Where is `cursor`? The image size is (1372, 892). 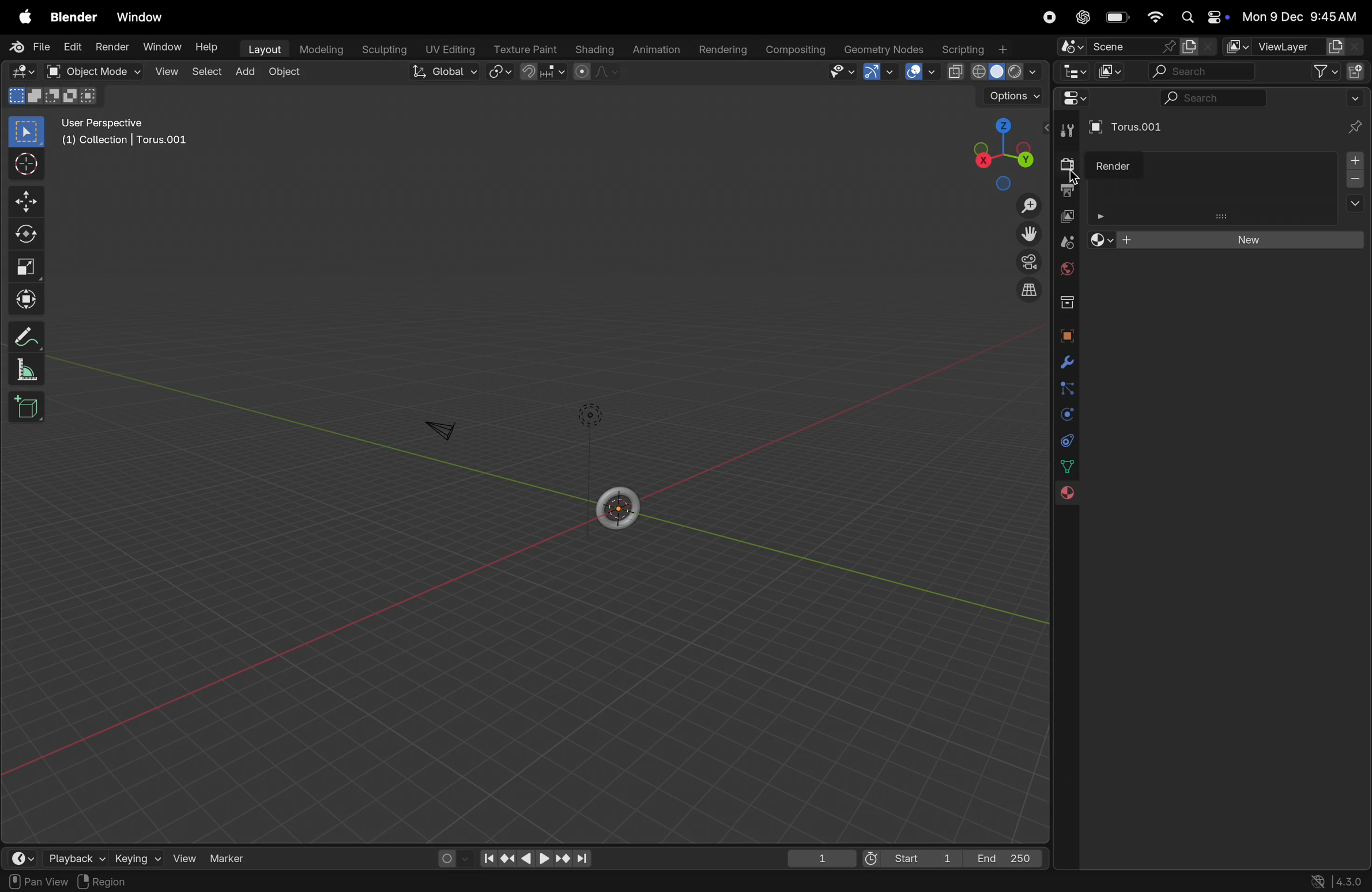 cursor is located at coordinates (1076, 175).